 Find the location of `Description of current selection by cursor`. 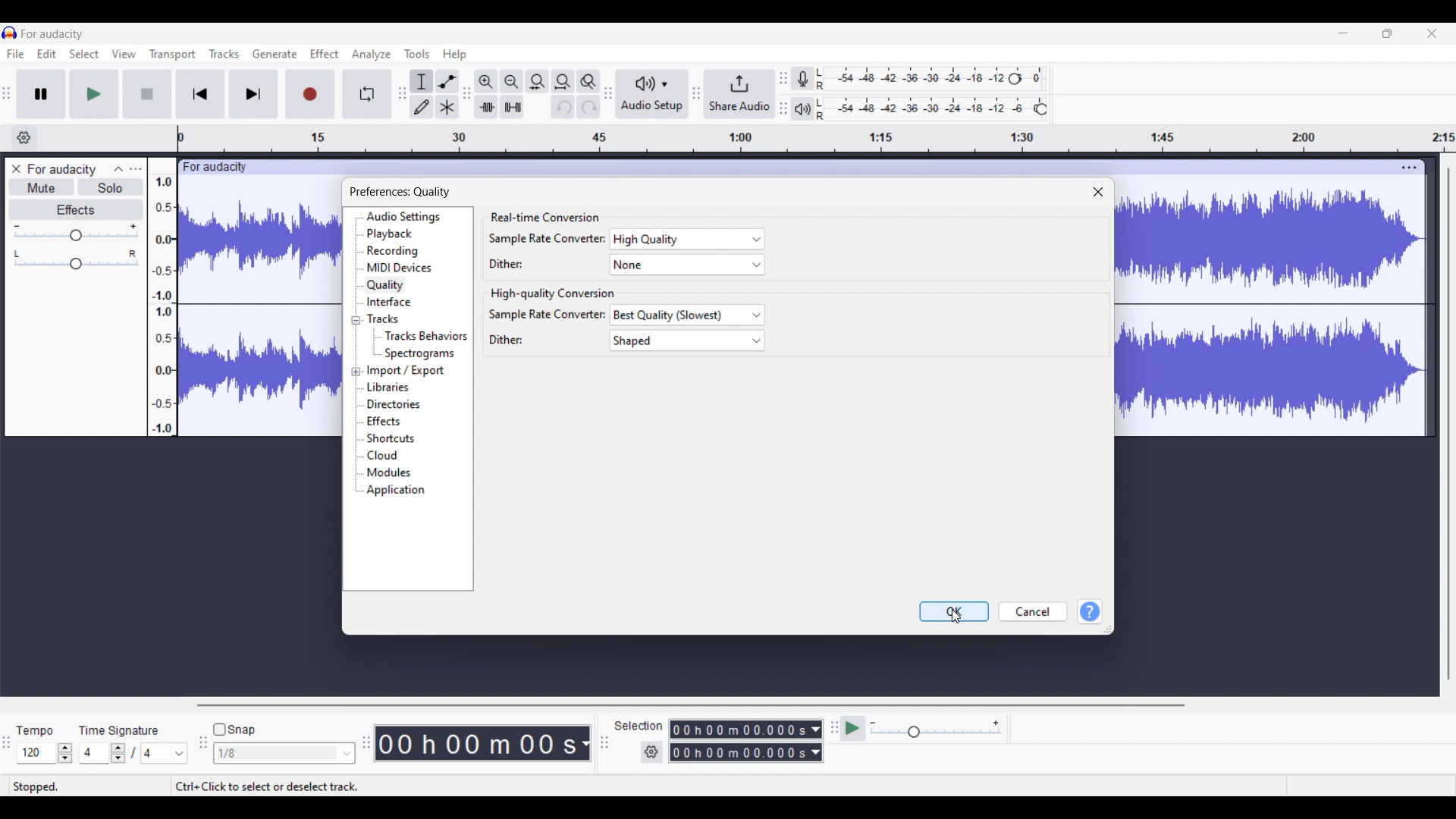

Description of current selection by cursor is located at coordinates (267, 786).